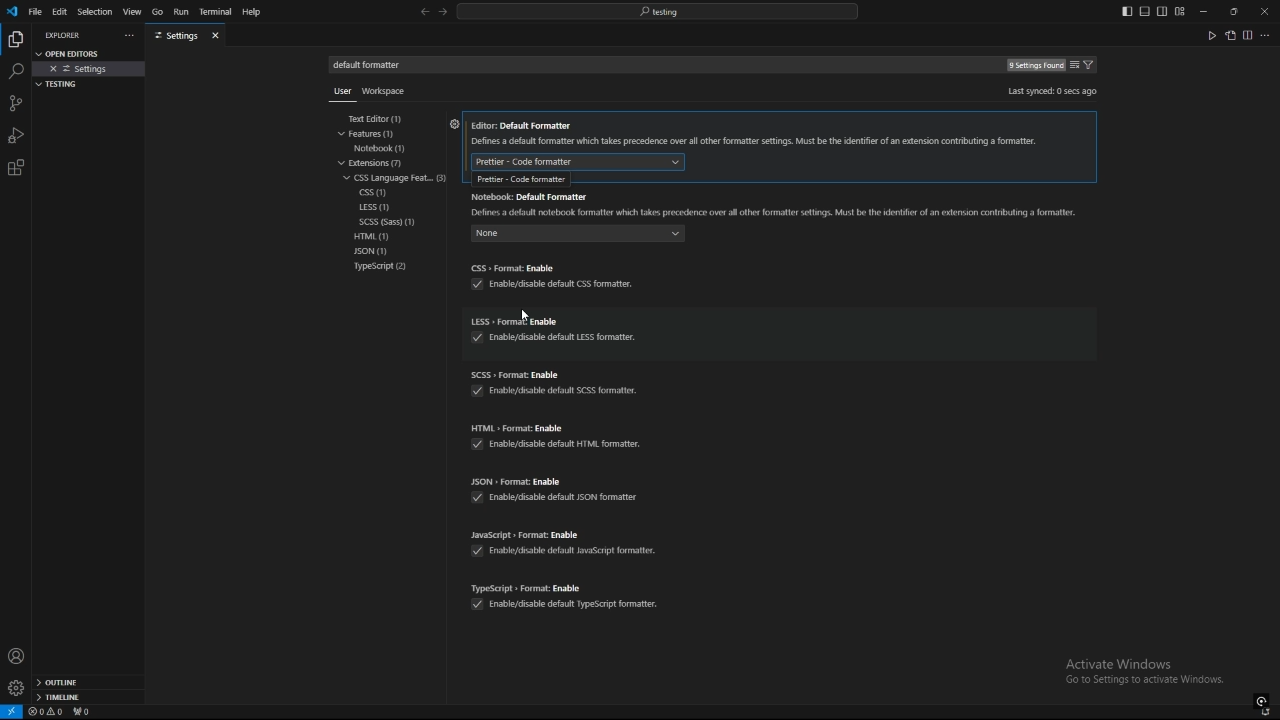 The width and height of the screenshot is (1280, 720). What do you see at coordinates (218, 35) in the screenshot?
I see `close tab` at bounding box center [218, 35].